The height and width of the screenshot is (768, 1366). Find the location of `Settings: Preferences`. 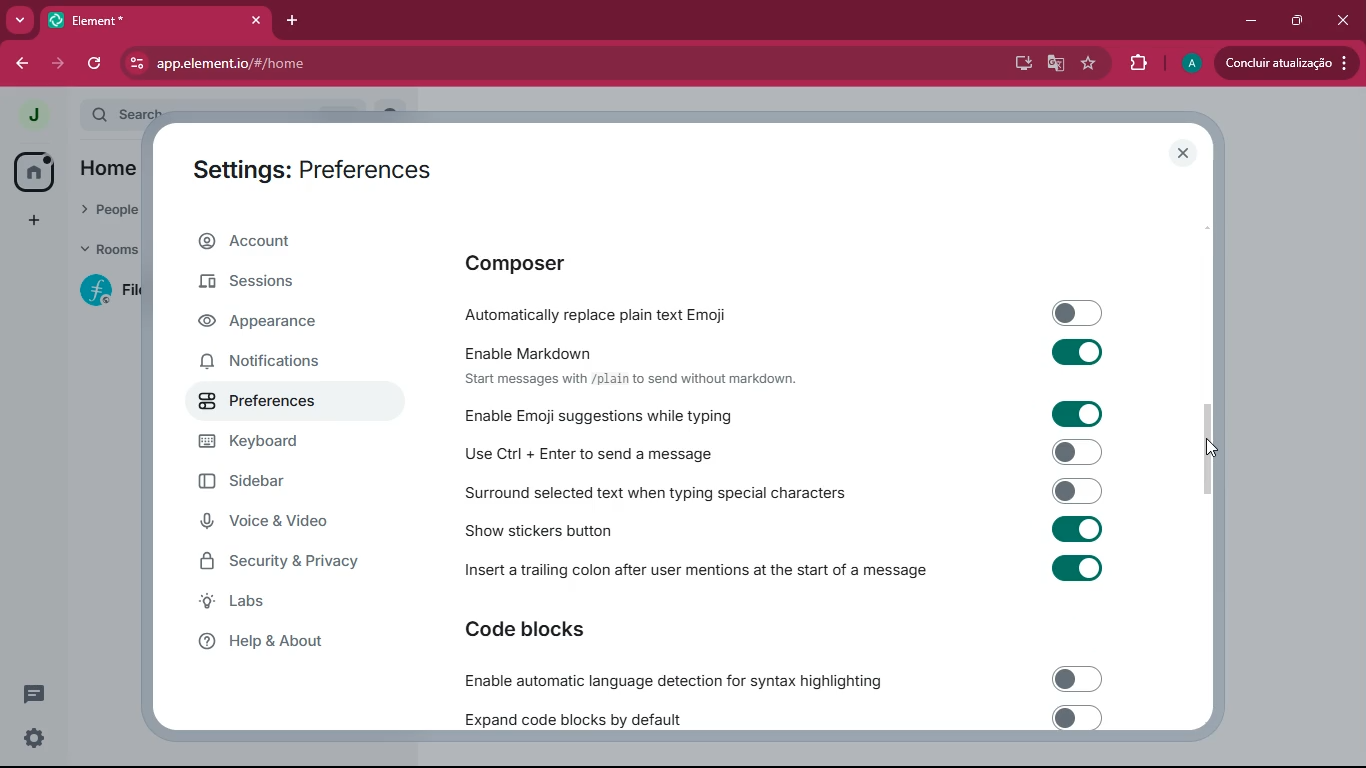

Settings: Preferences is located at coordinates (311, 166).